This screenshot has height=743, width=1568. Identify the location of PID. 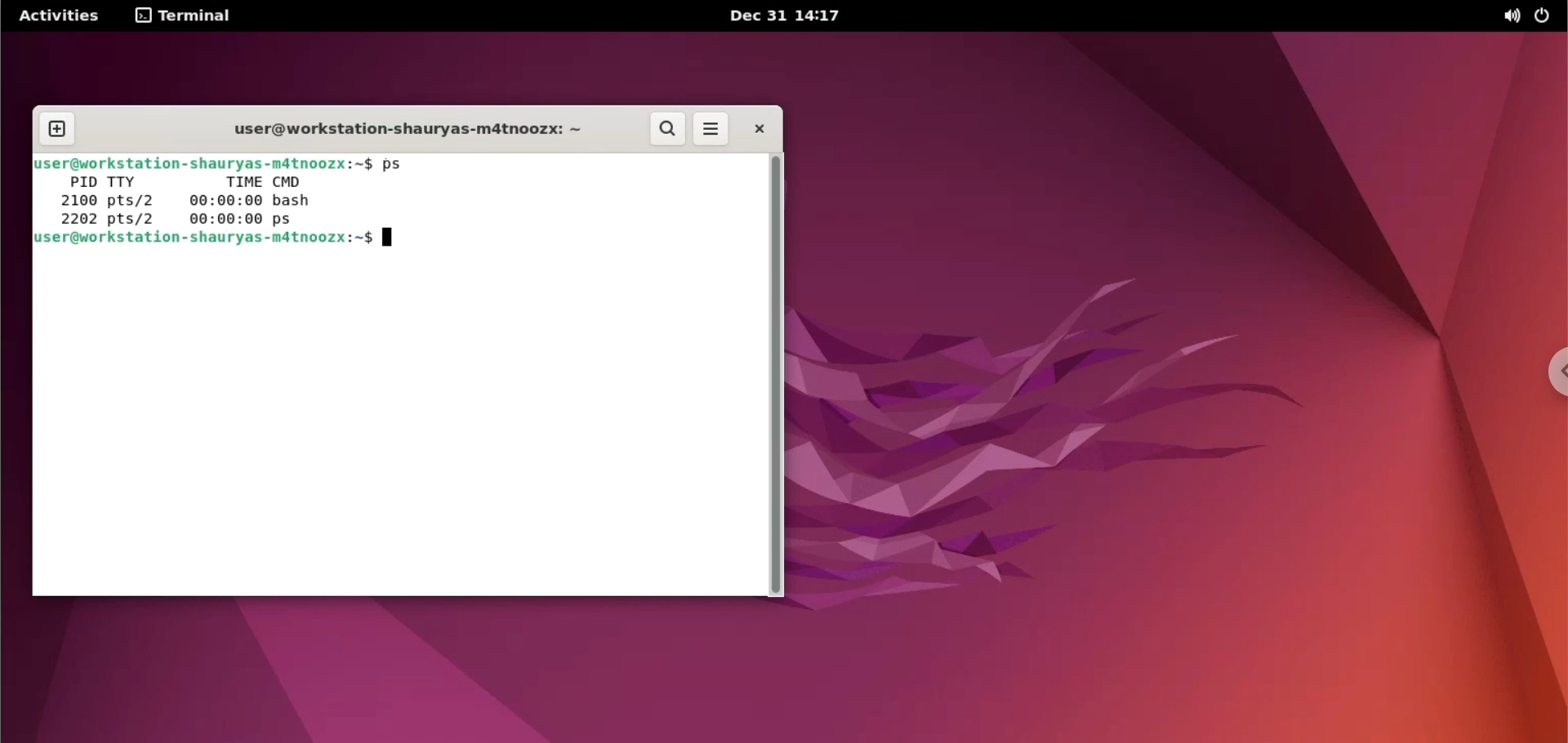
(82, 181).